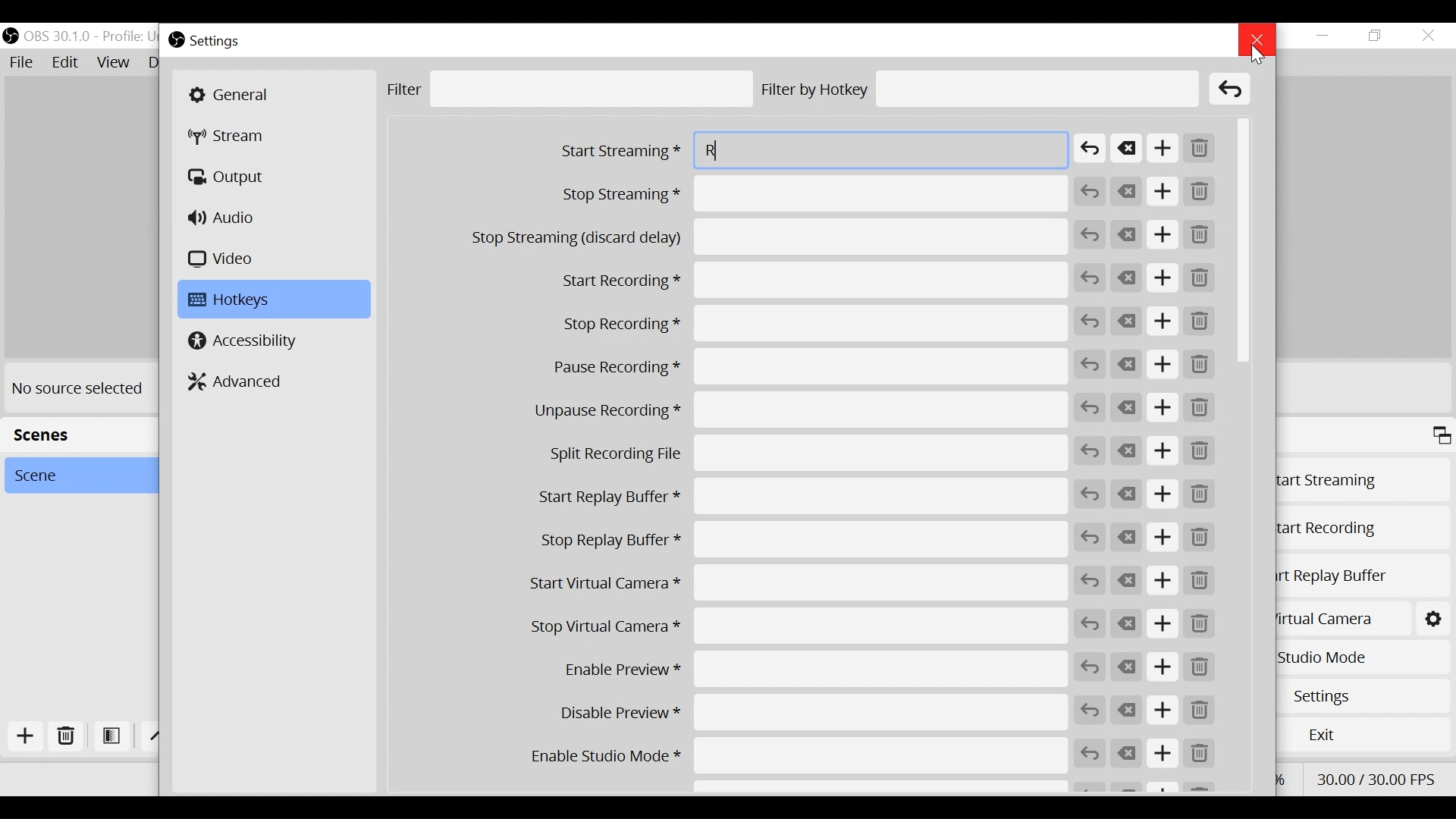 The width and height of the screenshot is (1456, 819). What do you see at coordinates (1436, 619) in the screenshot?
I see `Start Virtual Camera Settings` at bounding box center [1436, 619].